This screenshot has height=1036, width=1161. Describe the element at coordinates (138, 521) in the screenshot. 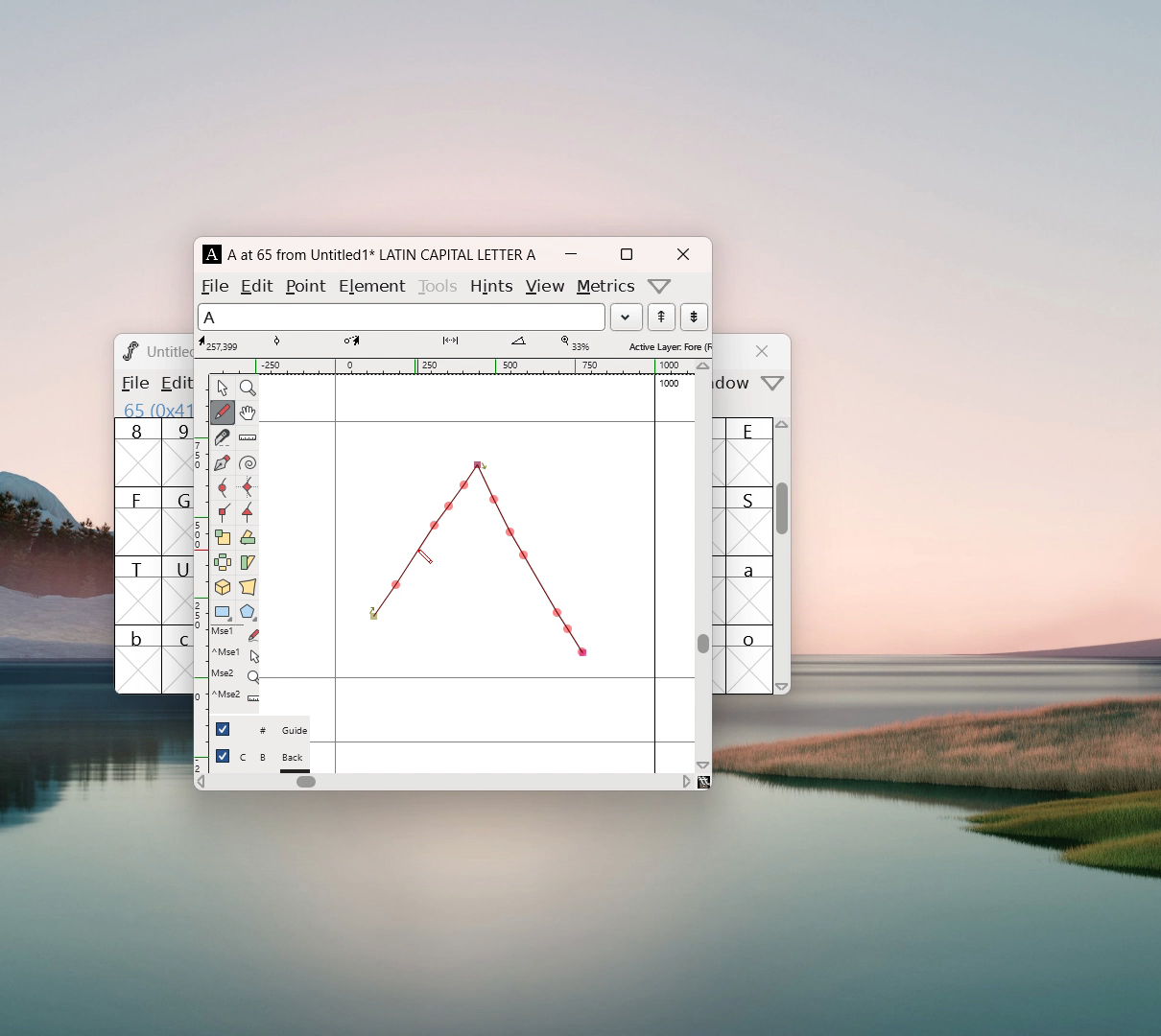

I see `F` at that location.